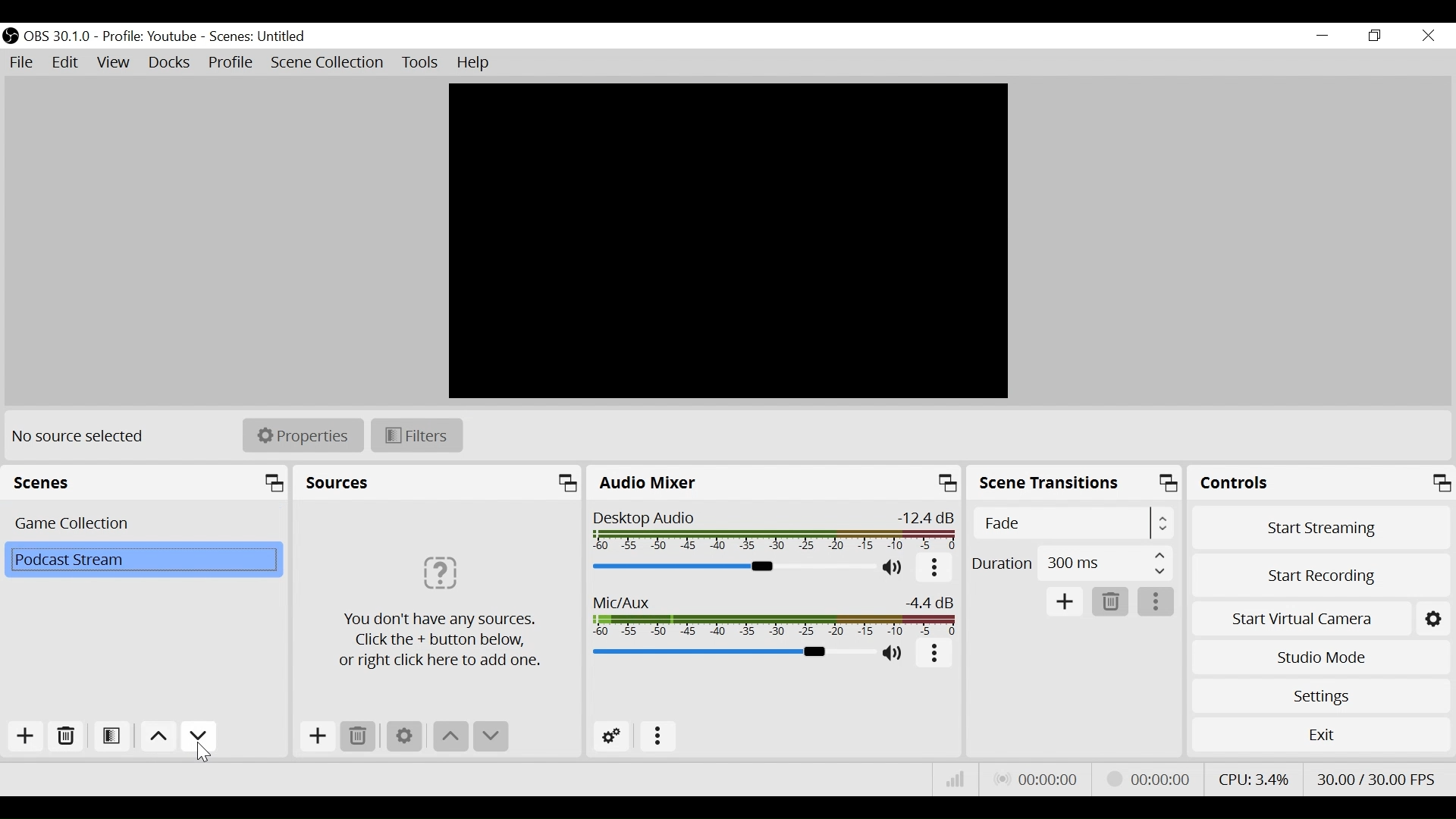 This screenshot has width=1456, height=819. Describe the element at coordinates (1035, 777) in the screenshot. I see `Live Status` at that location.